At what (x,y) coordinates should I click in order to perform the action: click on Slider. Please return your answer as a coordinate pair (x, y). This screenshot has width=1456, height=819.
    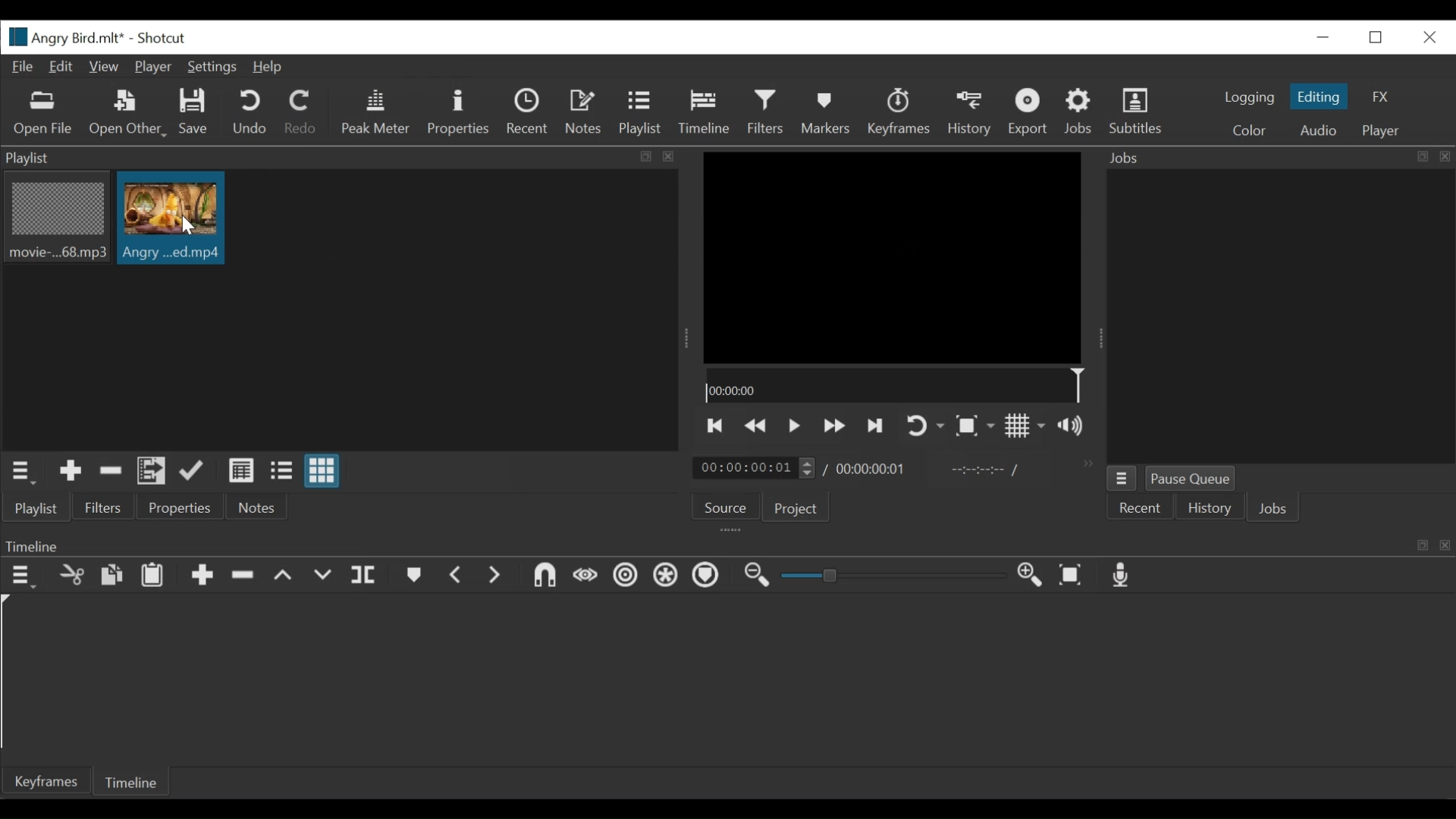
    Looking at the image, I should click on (897, 576).